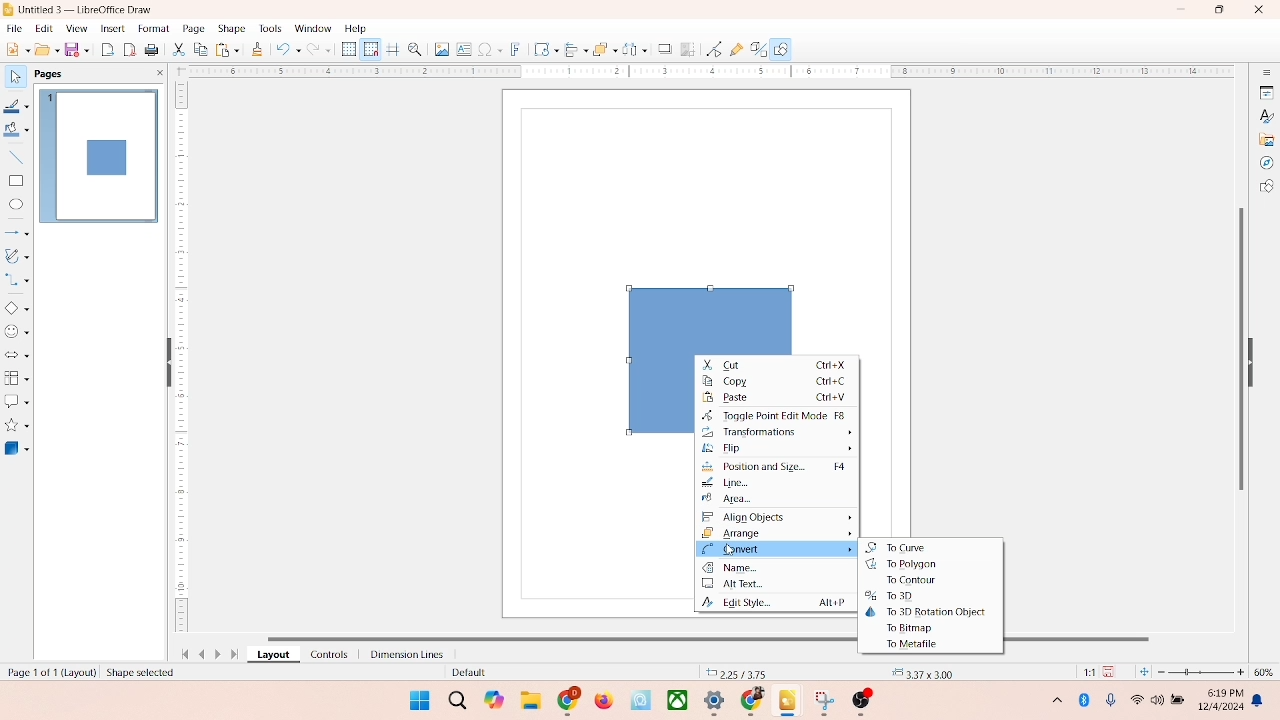  I want to click on edit style, so click(772, 604).